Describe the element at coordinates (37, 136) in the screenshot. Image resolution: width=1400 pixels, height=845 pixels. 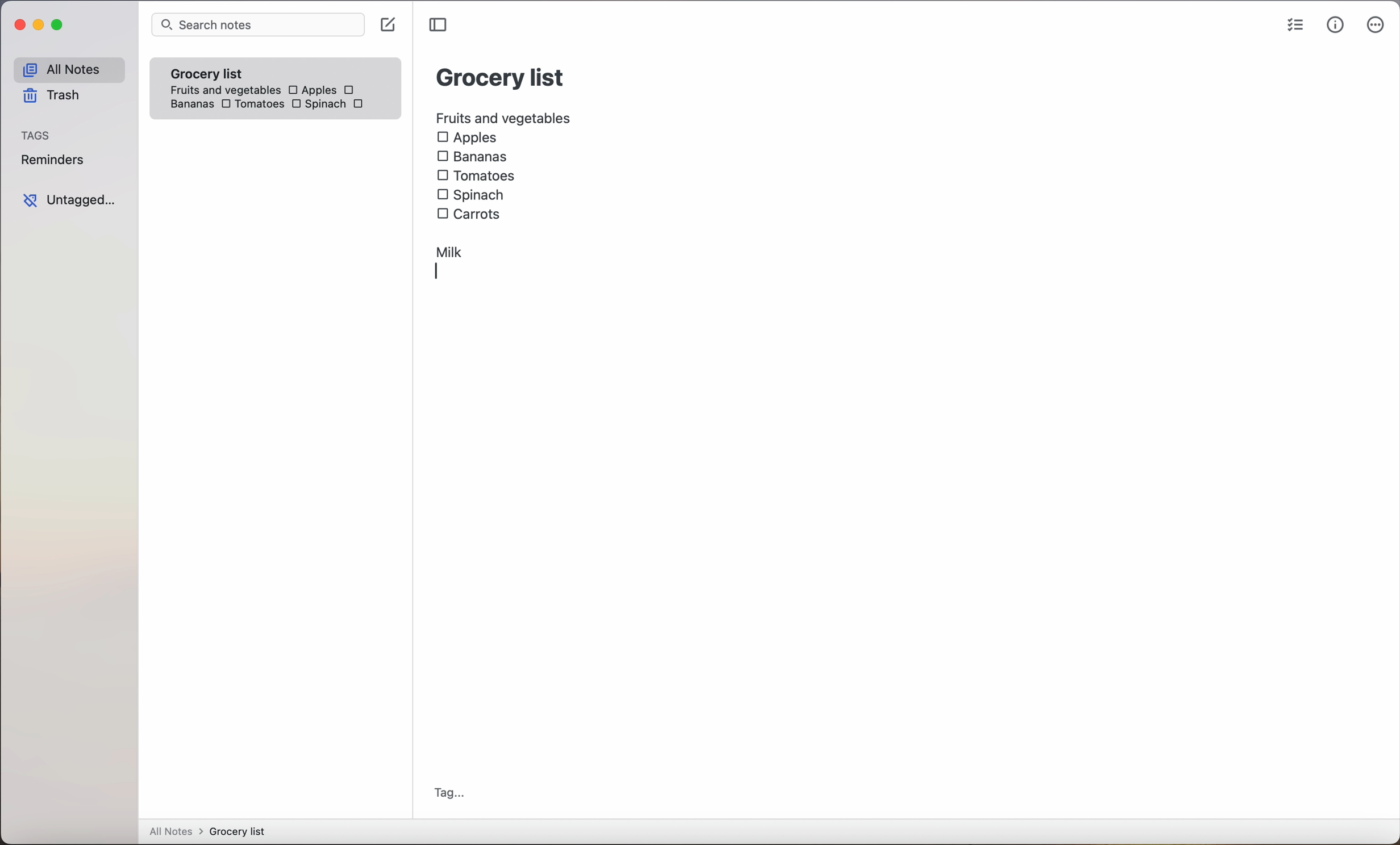
I see `tags` at that location.